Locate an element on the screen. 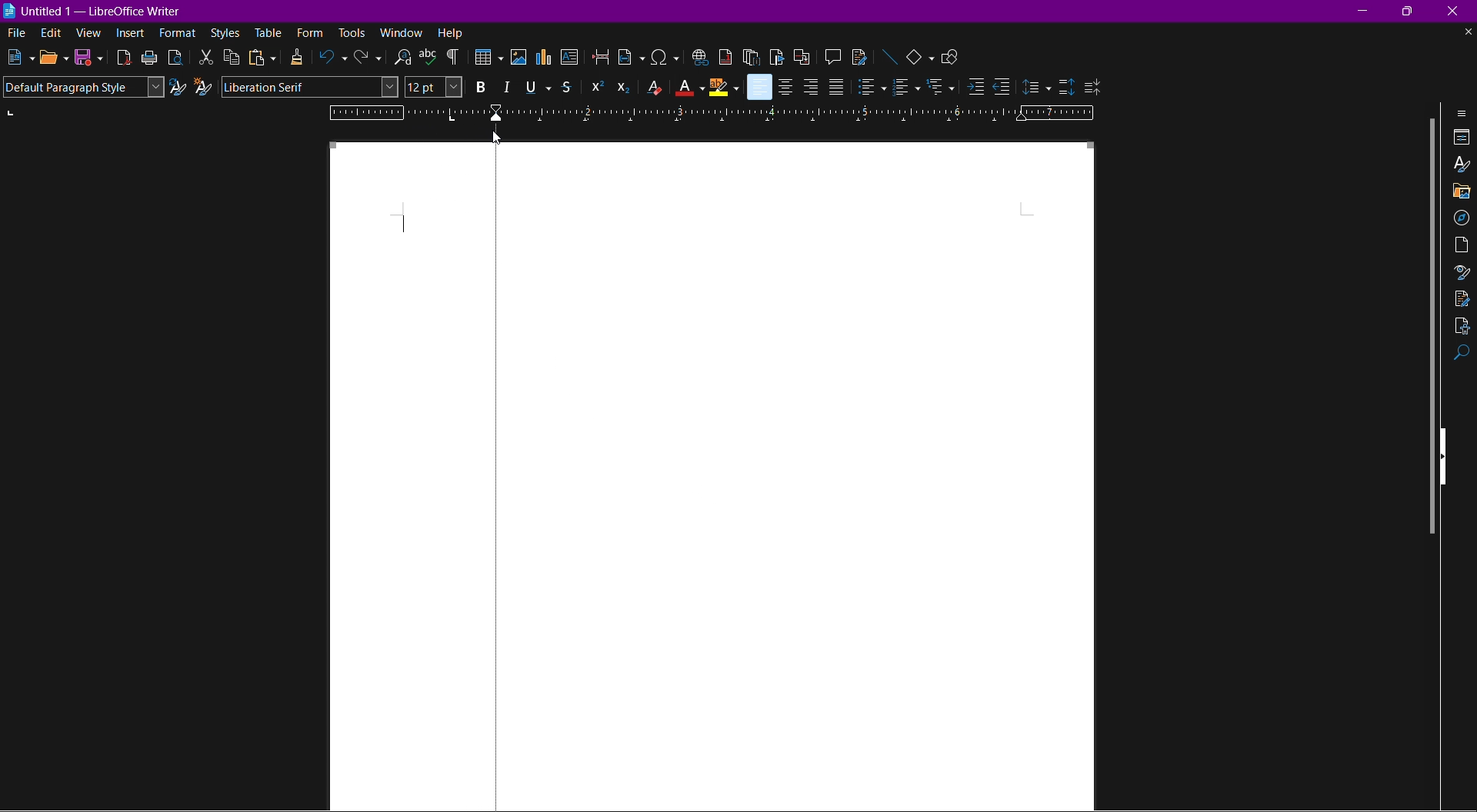 The height and width of the screenshot is (812, 1477). Copy Formatting is located at coordinates (298, 58).